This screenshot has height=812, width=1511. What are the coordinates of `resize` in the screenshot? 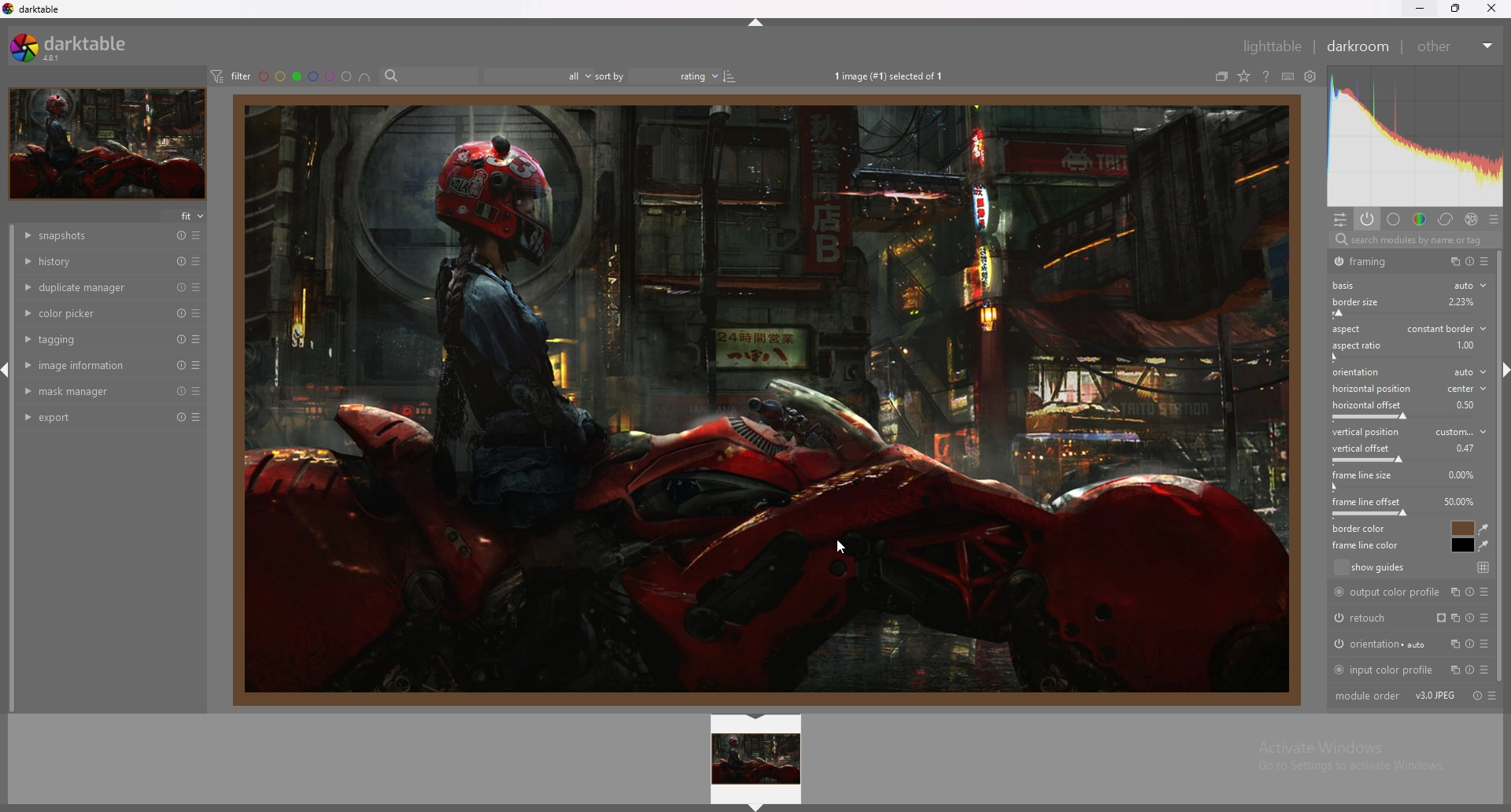 It's located at (1458, 8).